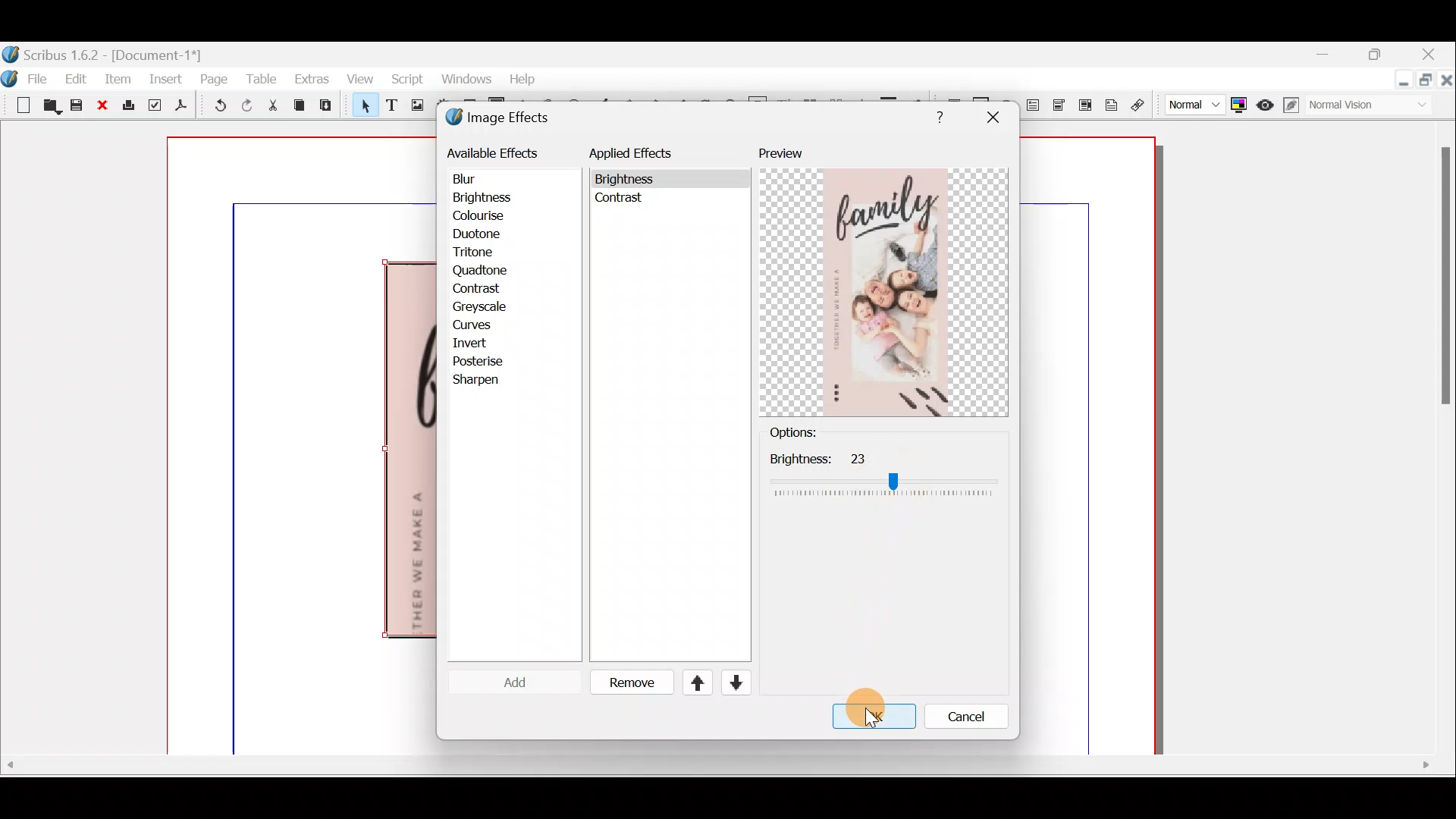  I want to click on Contrast, so click(481, 290).